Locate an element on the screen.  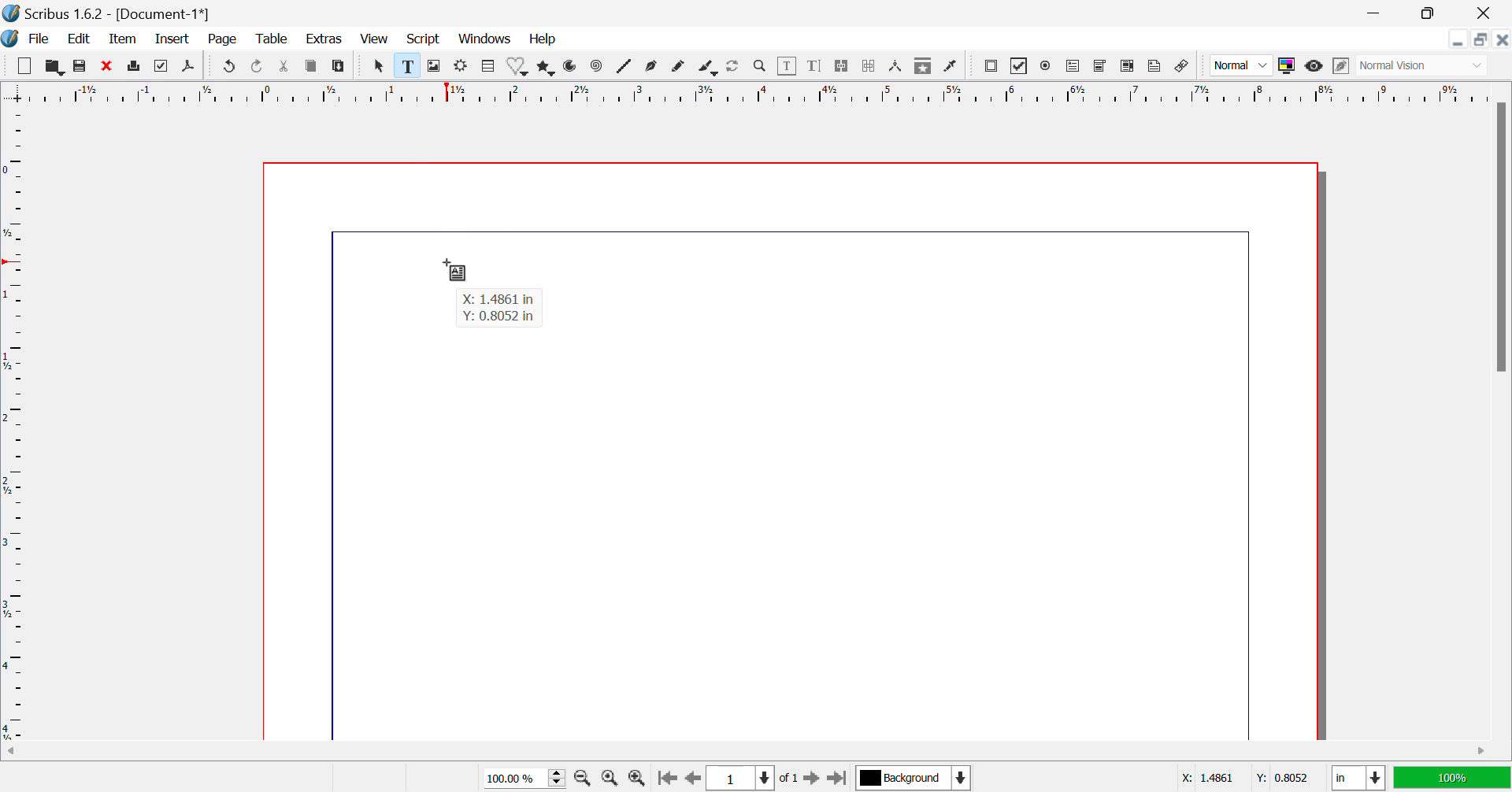
Delink Text Frame is located at coordinates (869, 68).